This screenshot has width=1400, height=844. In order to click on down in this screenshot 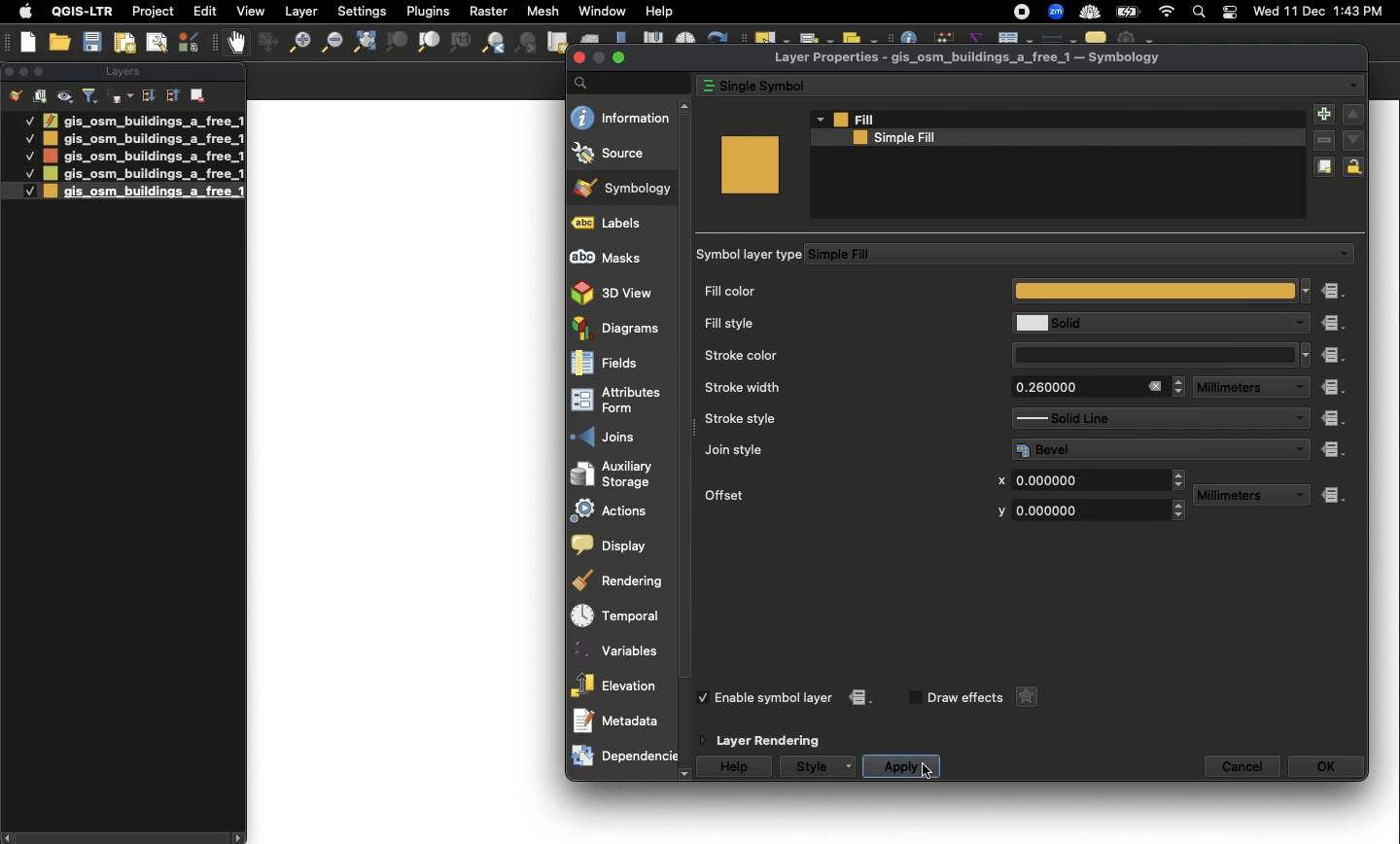, I will do `click(685, 775)`.